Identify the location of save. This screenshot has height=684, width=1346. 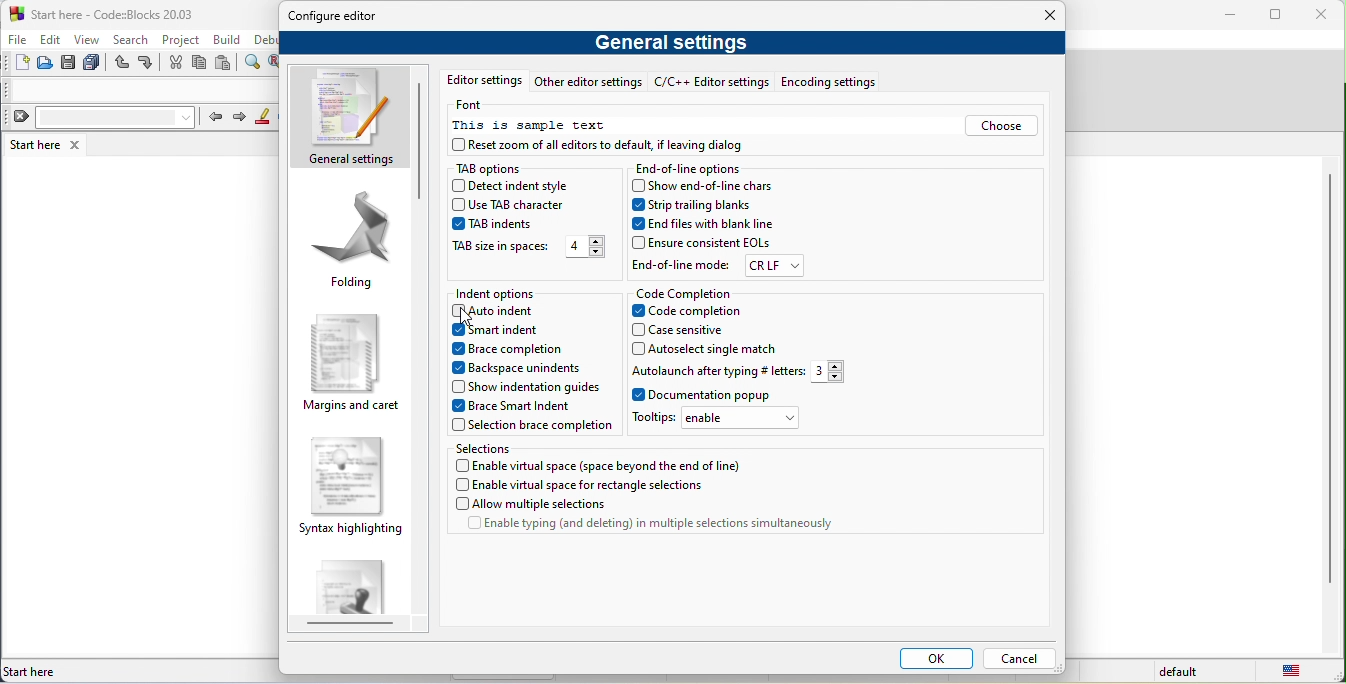
(69, 65).